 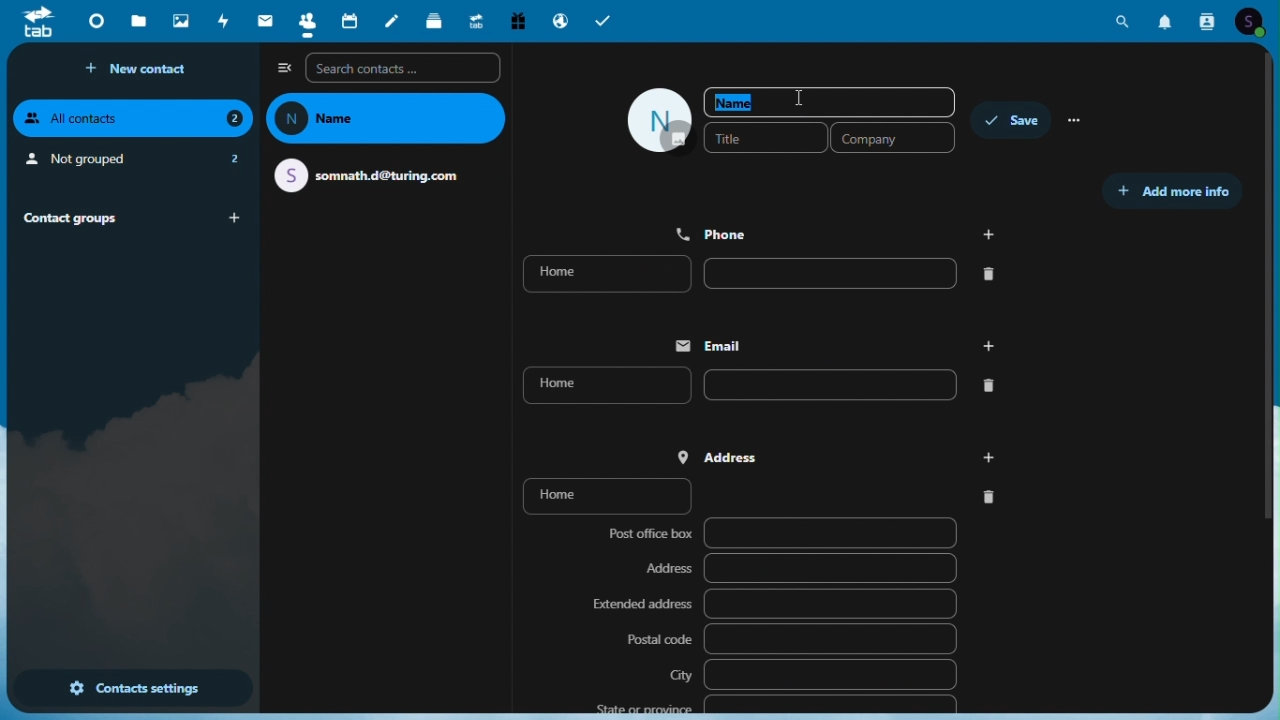 What do you see at coordinates (404, 68) in the screenshot?
I see `Search contacts` at bounding box center [404, 68].